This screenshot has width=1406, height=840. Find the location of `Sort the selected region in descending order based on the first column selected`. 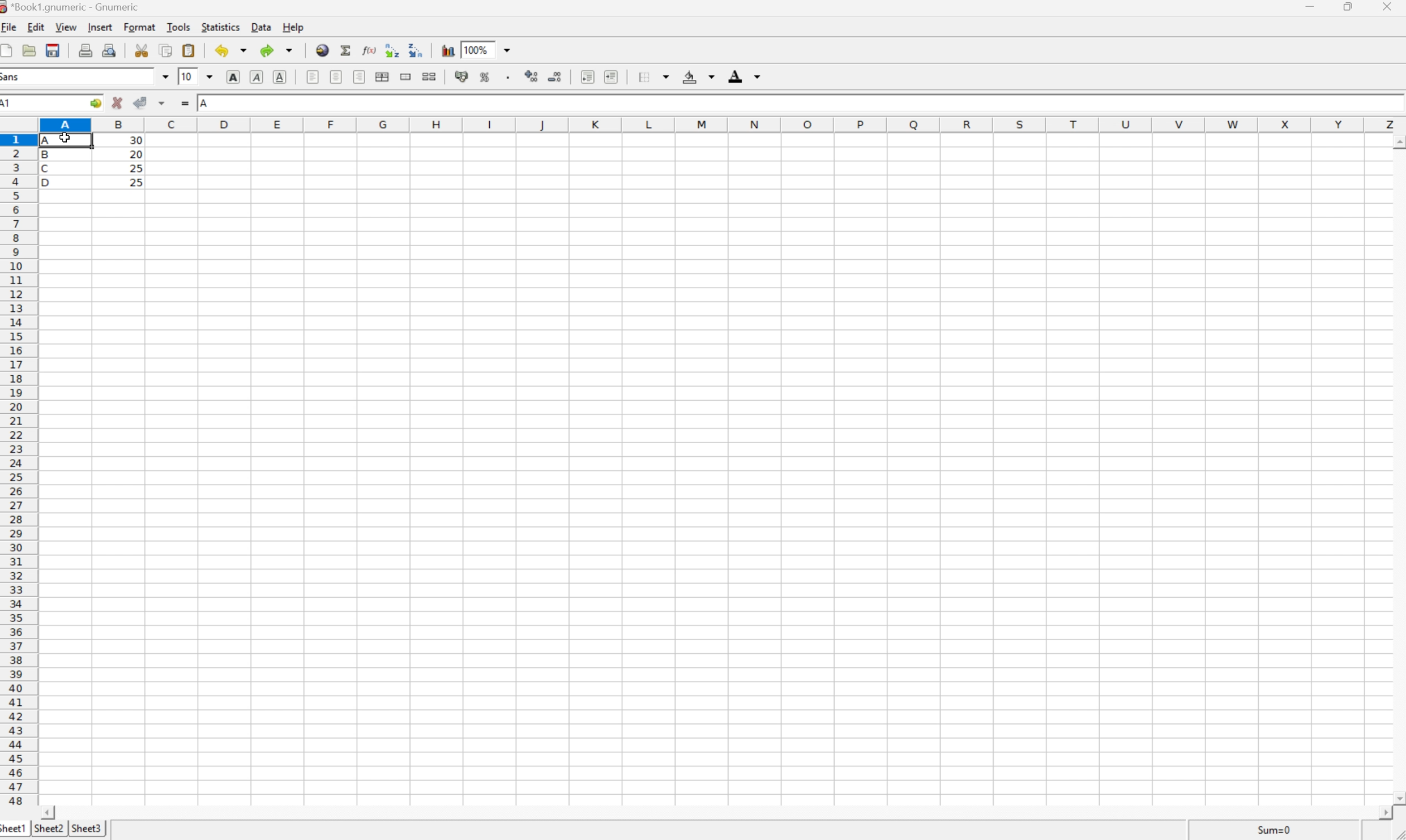

Sort the selected region in descending order based on the first column selected is located at coordinates (415, 49).